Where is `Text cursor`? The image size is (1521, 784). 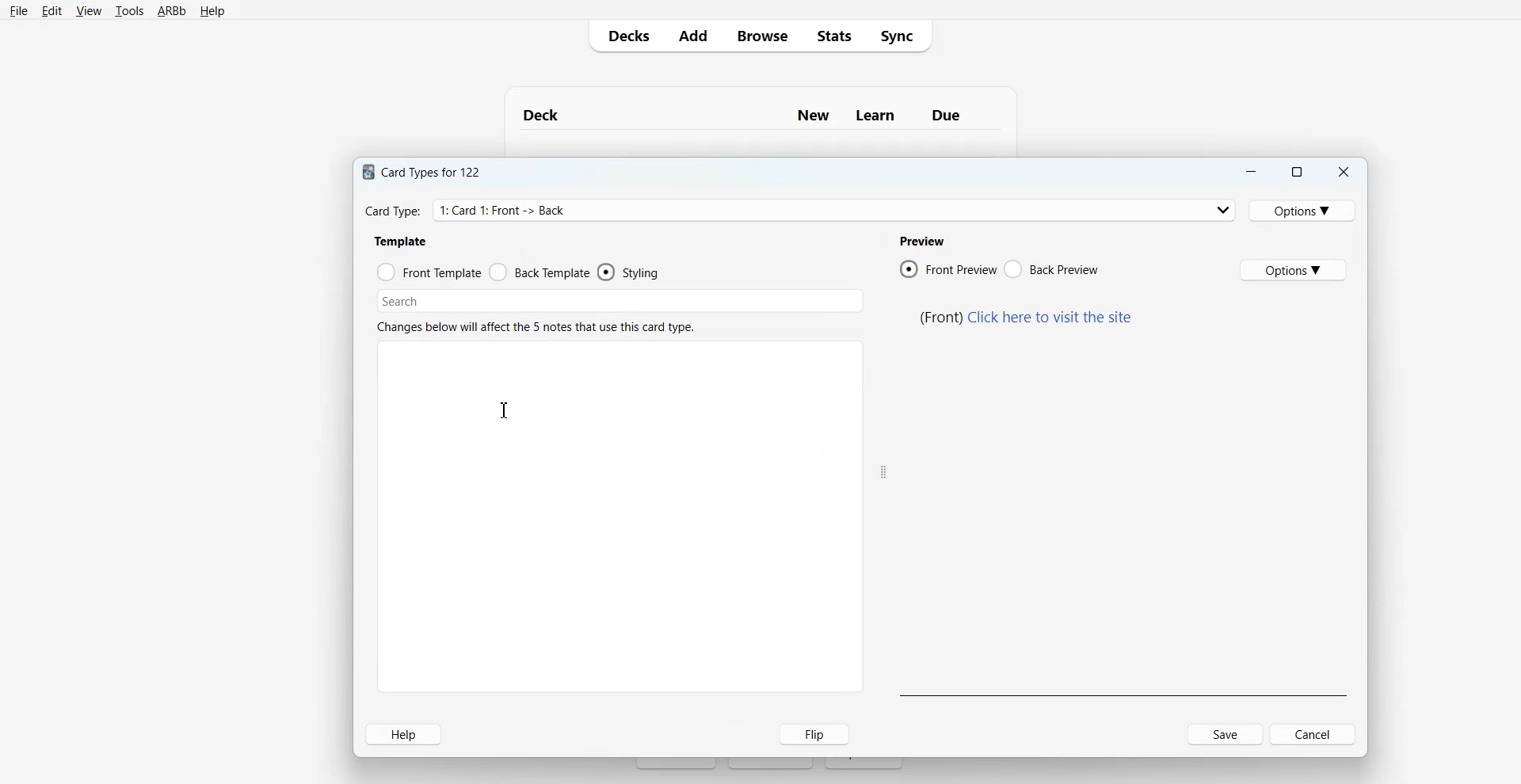
Text cursor is located at coordinates (507, 410).